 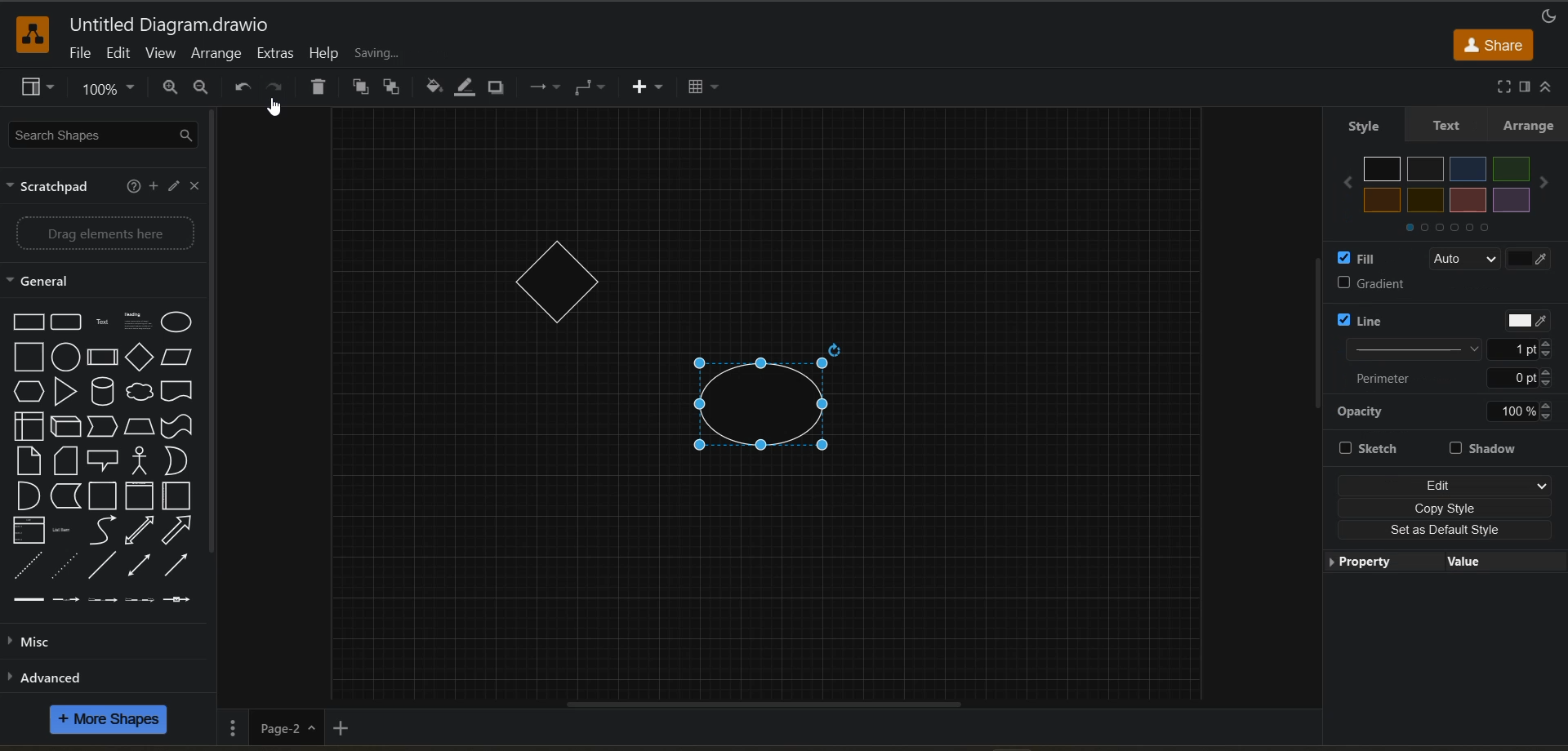 What do you see at coordinates (1445, 228) in the screenshot?
I see `next set of colors` at bounding box center [1445, 228].